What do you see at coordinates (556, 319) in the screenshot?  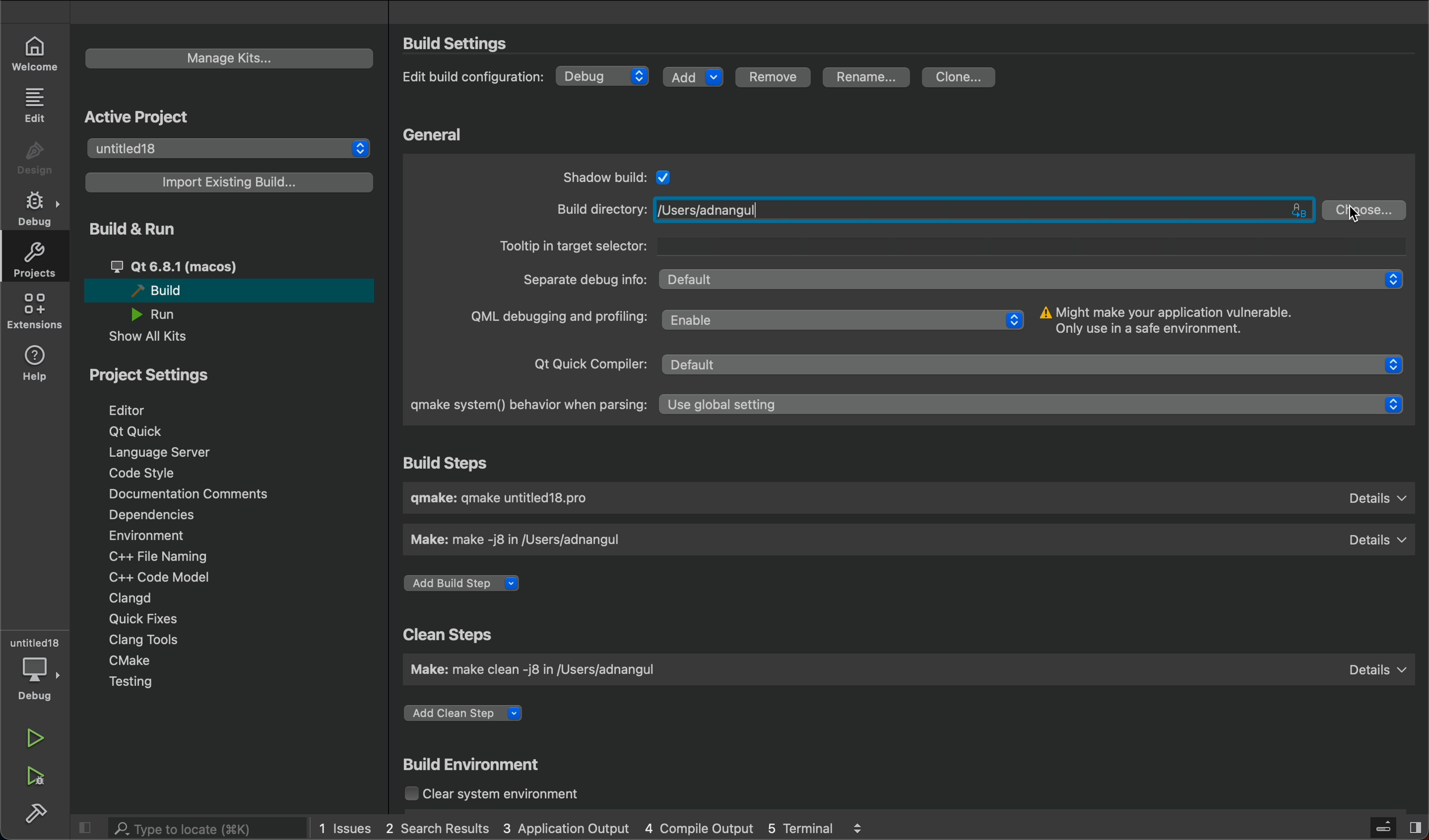 I see `QML debugging and profiling:` at bounding box center [556, 319].